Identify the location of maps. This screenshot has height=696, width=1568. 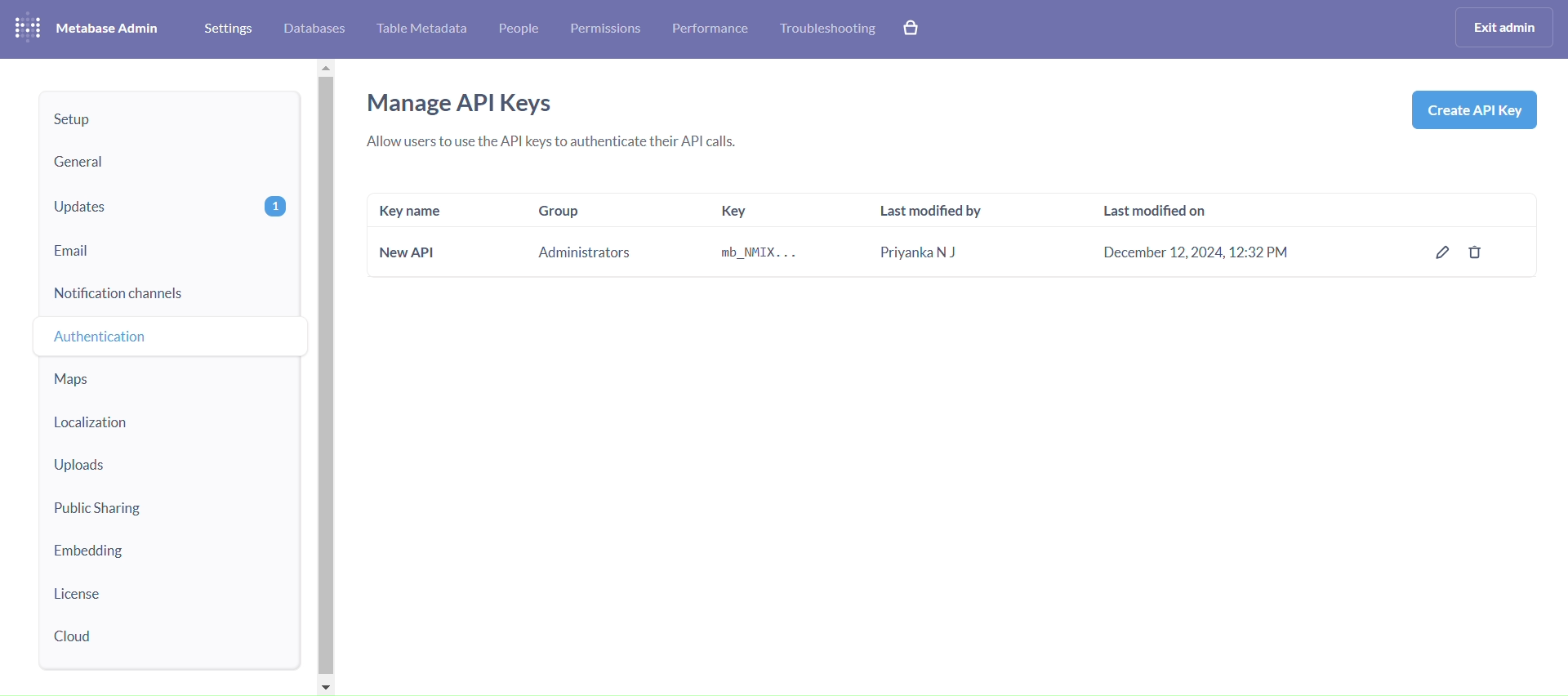
(167, 381).